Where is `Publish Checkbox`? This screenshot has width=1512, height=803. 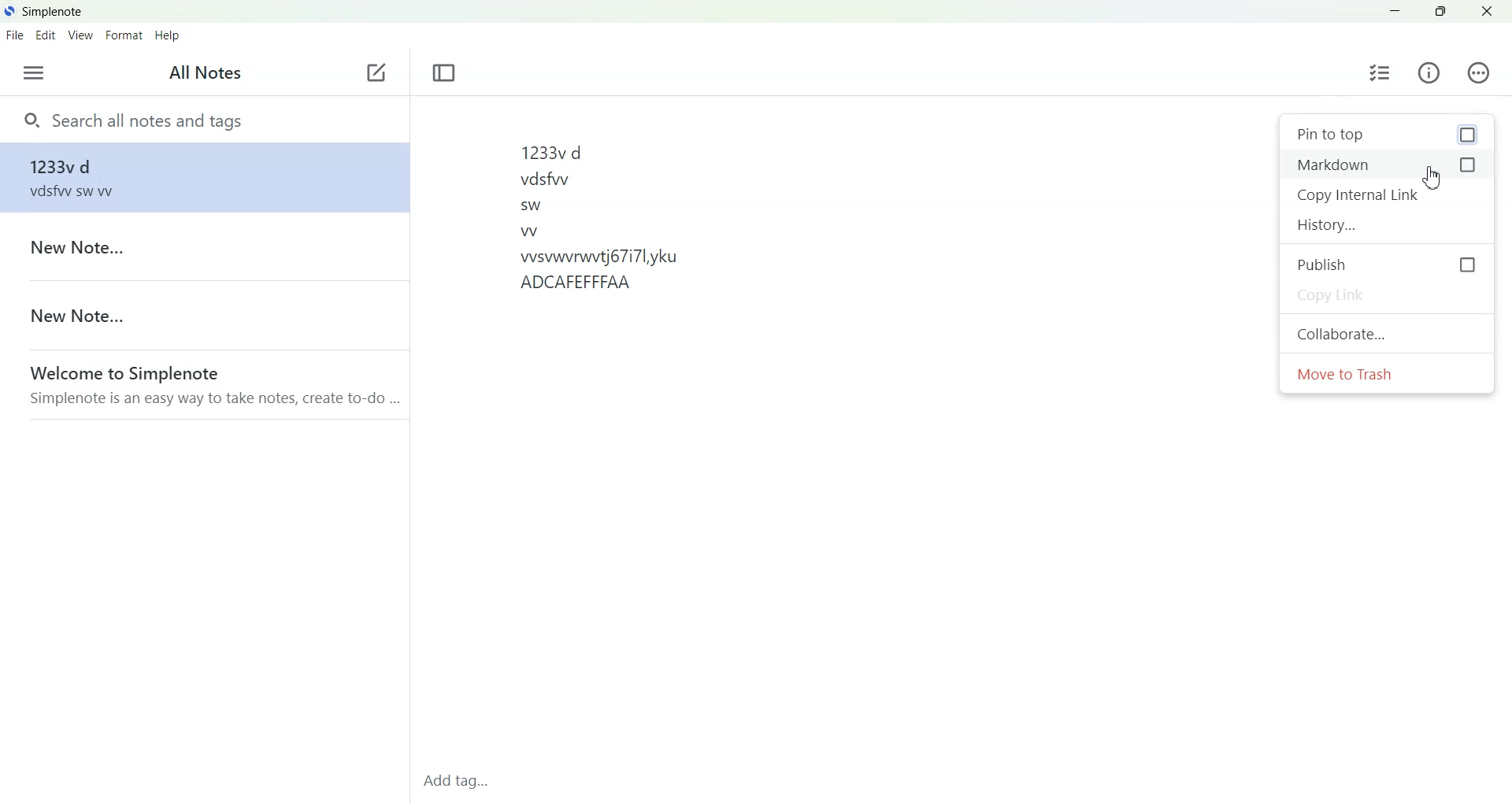
Publish Checkbox is located at coordinates (1388, 264).